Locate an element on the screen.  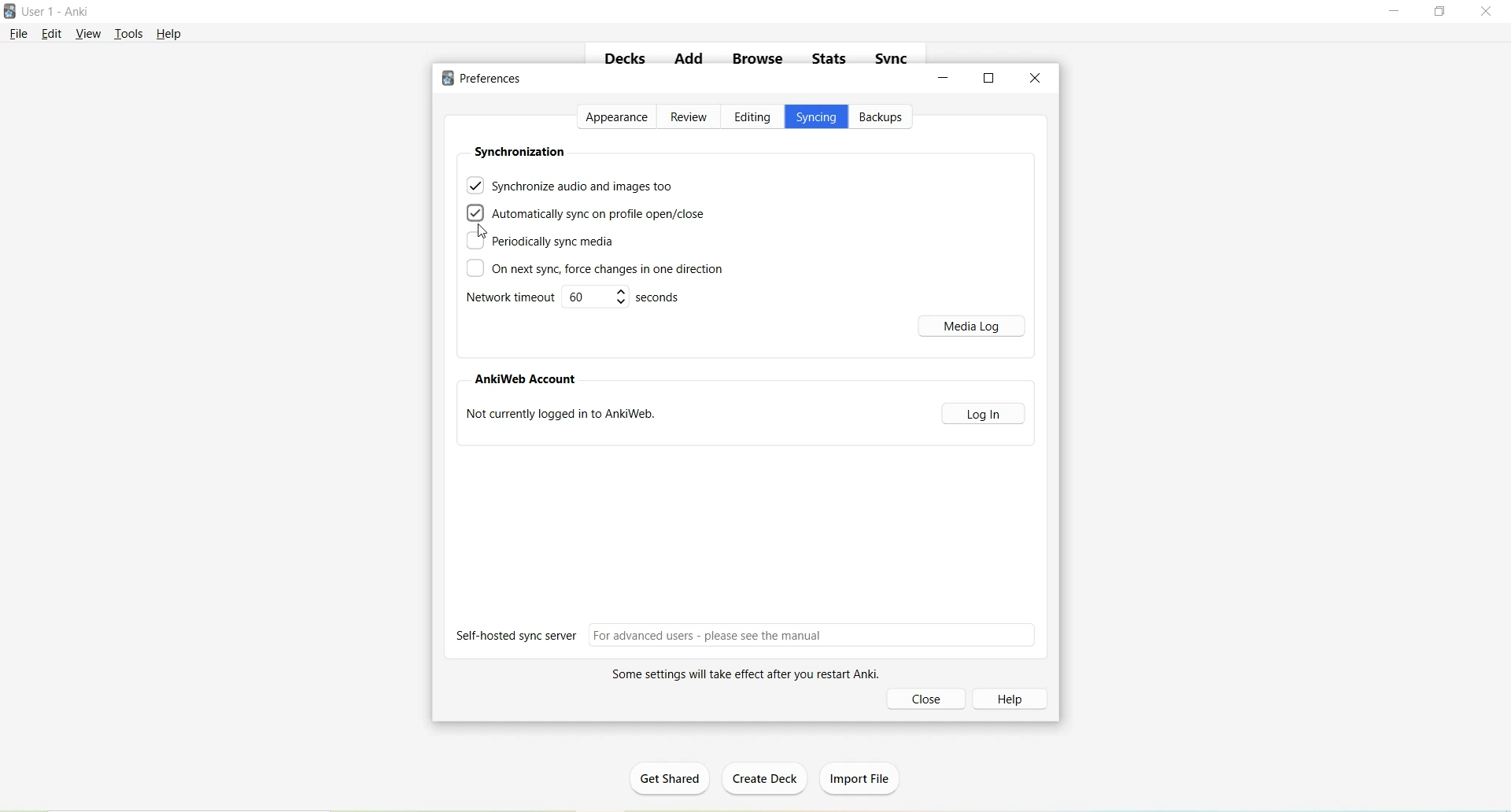
Log In is located at coordinates (985, 413).